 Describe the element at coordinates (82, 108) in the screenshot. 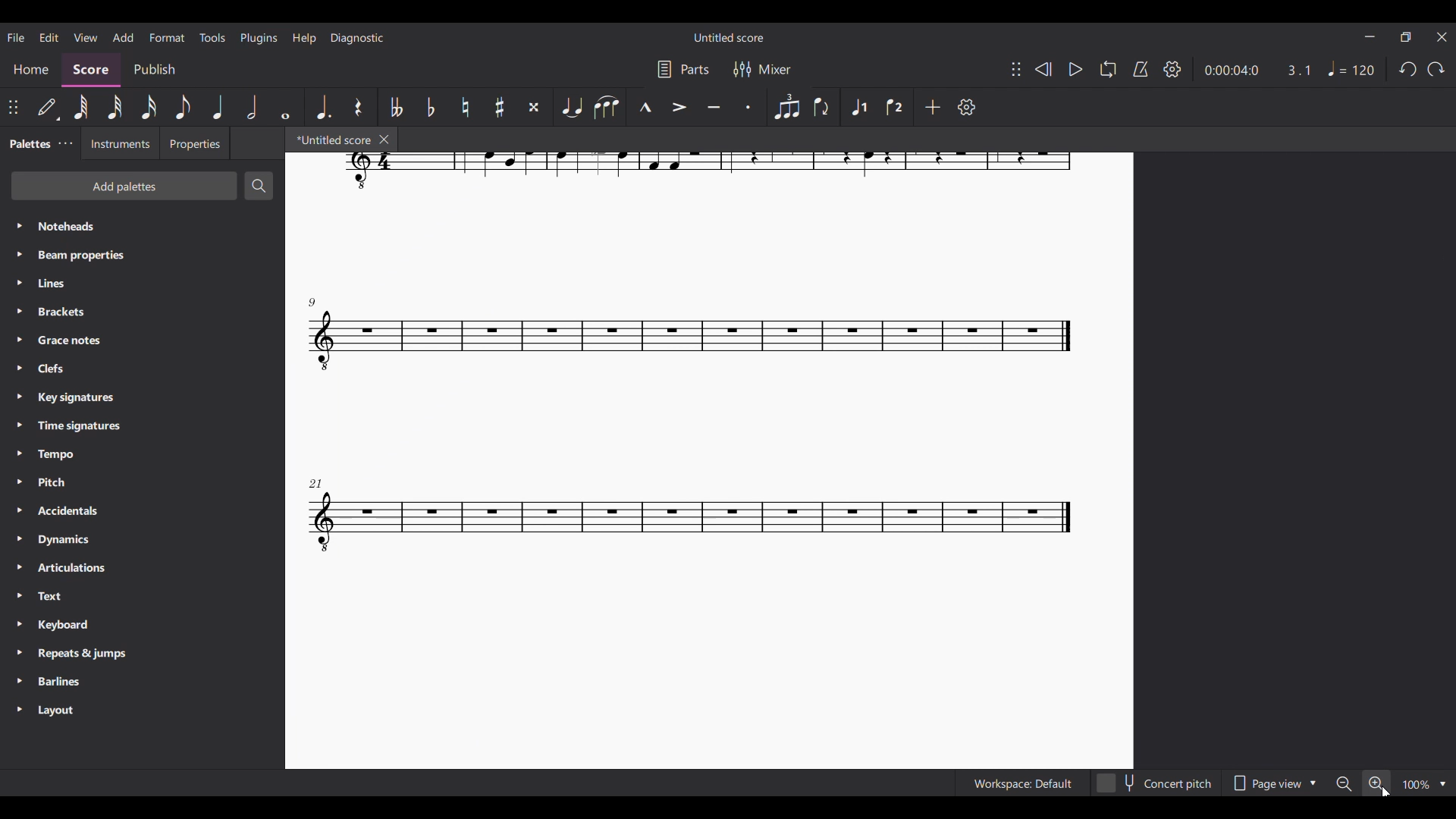

I see `64th note` at that location.